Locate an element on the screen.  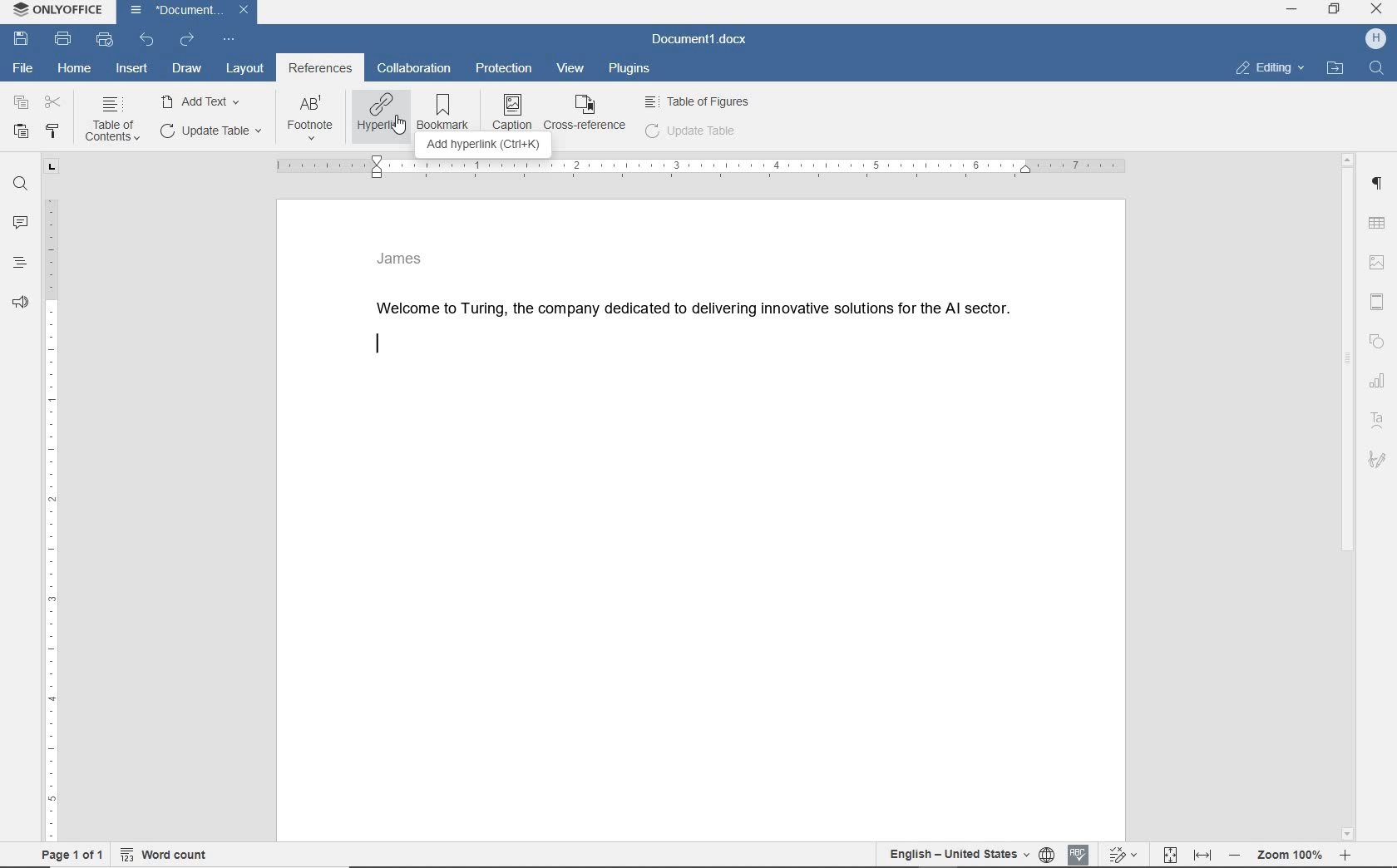
Find is located at coordinates (1380, 67).